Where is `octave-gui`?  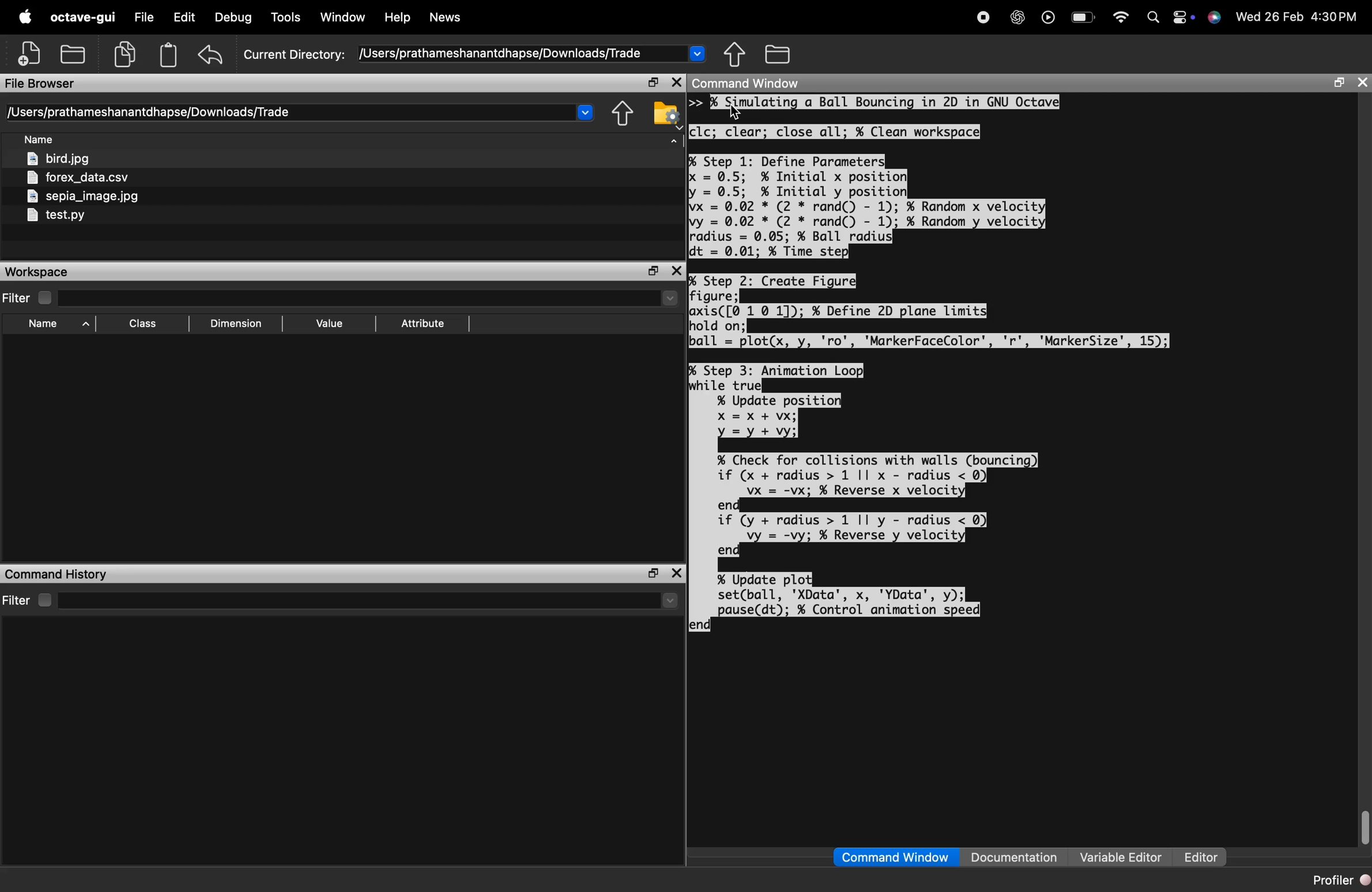
octave-gui is located at coordinates (84, 17).